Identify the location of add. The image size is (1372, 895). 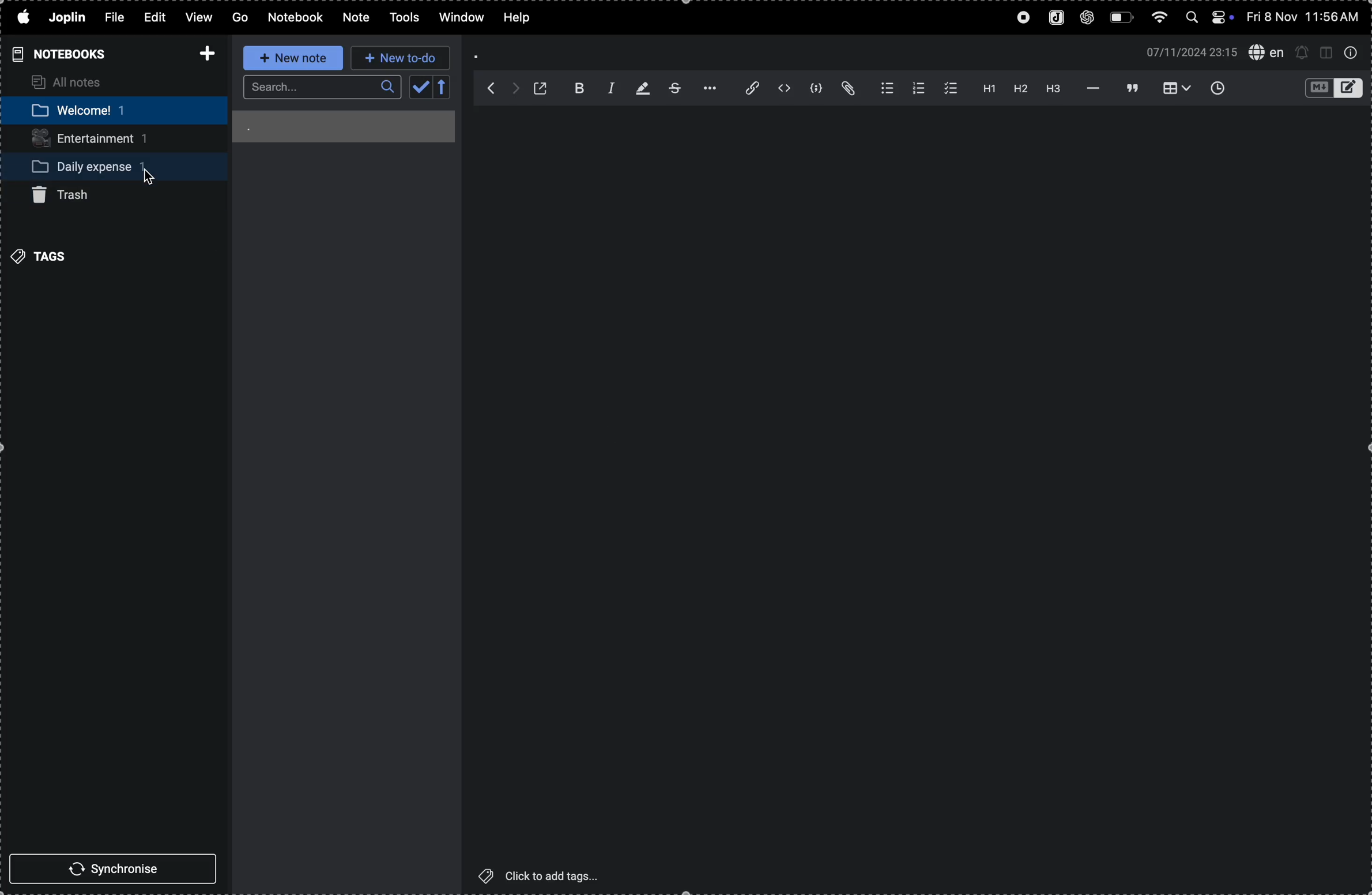
(203, 50).